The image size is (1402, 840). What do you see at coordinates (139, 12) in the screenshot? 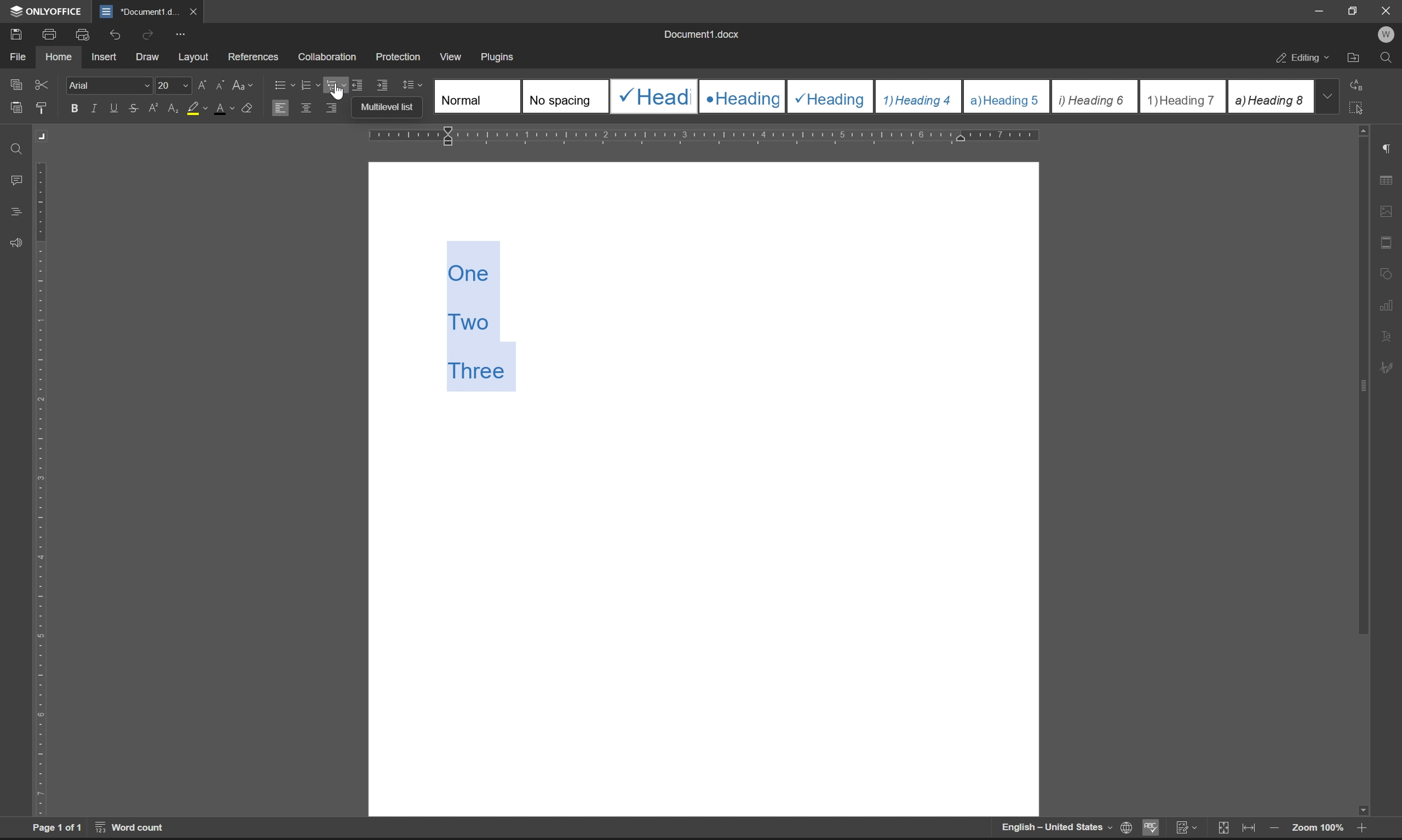
I see `document1` at bounding box center [139, 12].